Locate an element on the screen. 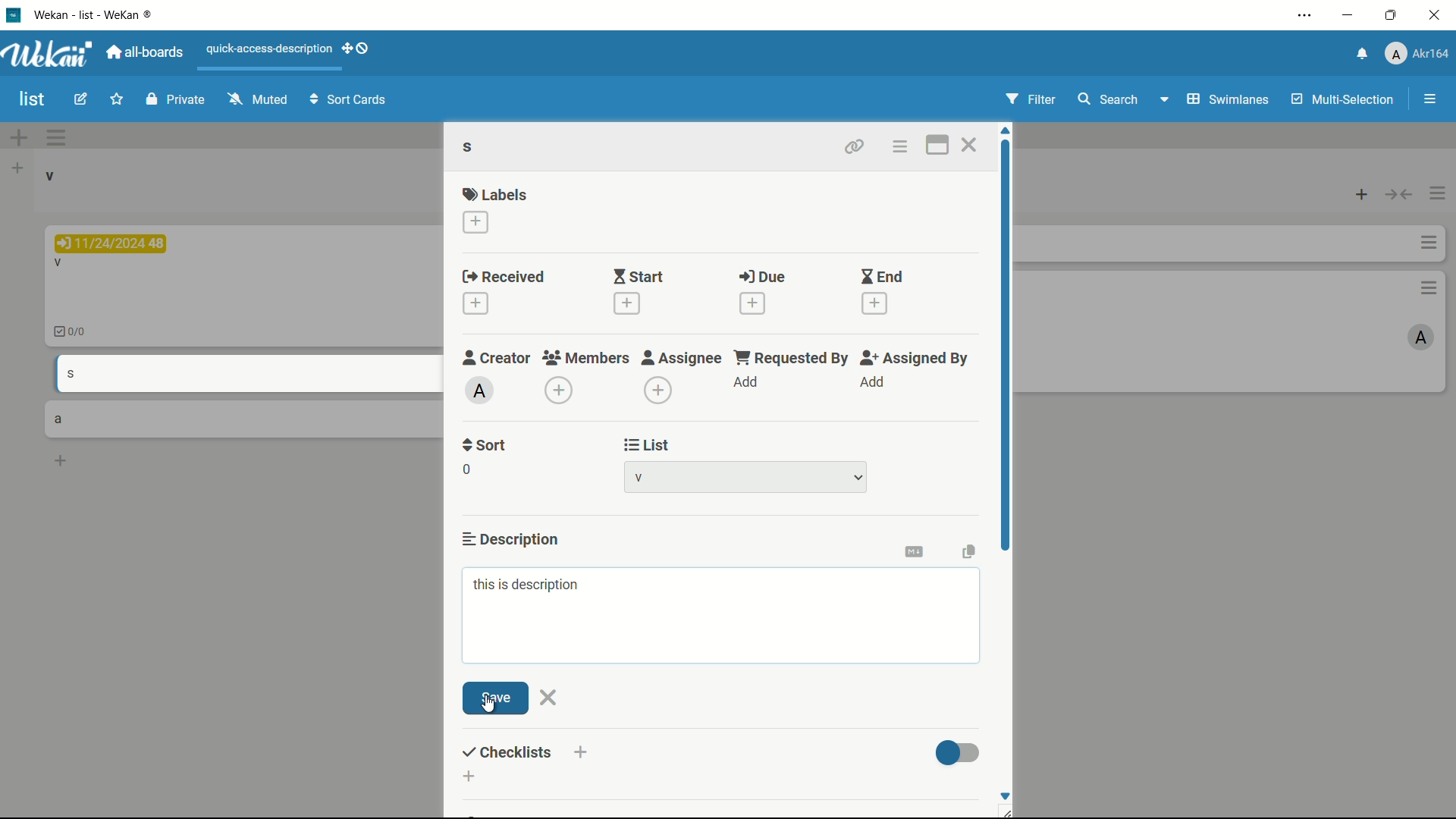 This screenshot has width=1456, height=819. labels is located at coordinates (497, 194).